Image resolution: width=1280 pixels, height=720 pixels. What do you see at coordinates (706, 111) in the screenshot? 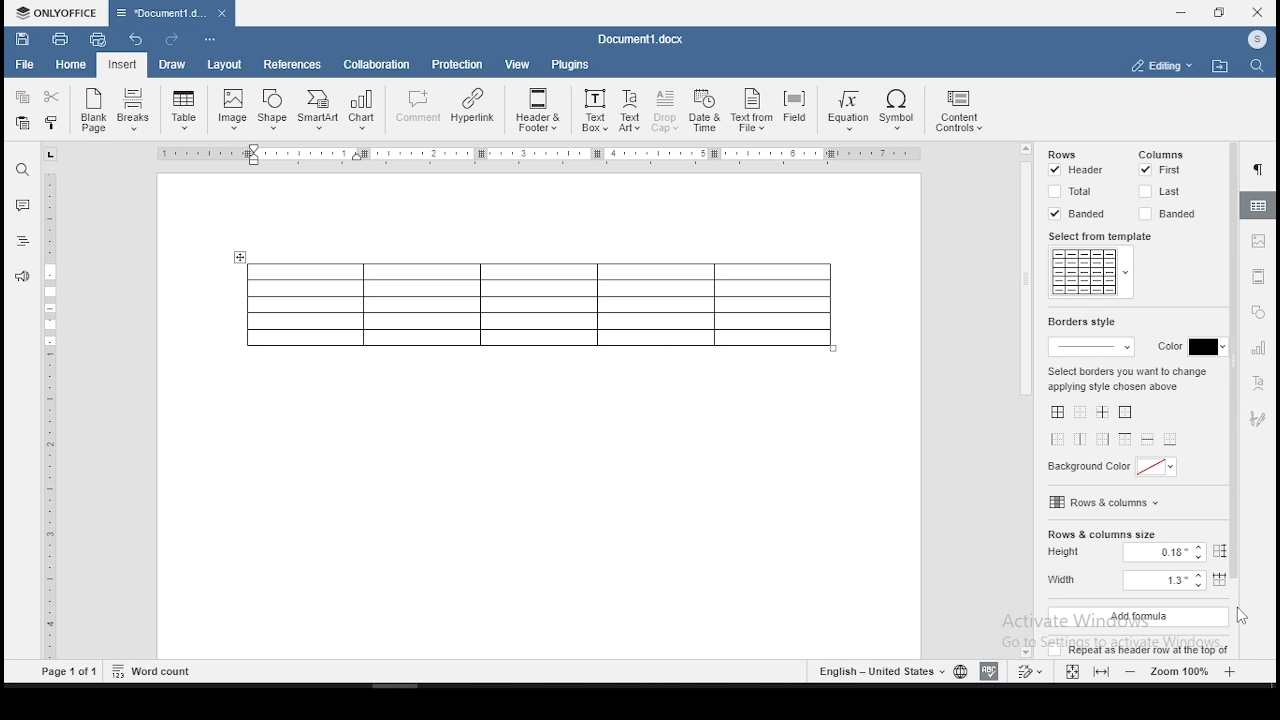
I see `Date & Time` at bounding box center [706, 111].